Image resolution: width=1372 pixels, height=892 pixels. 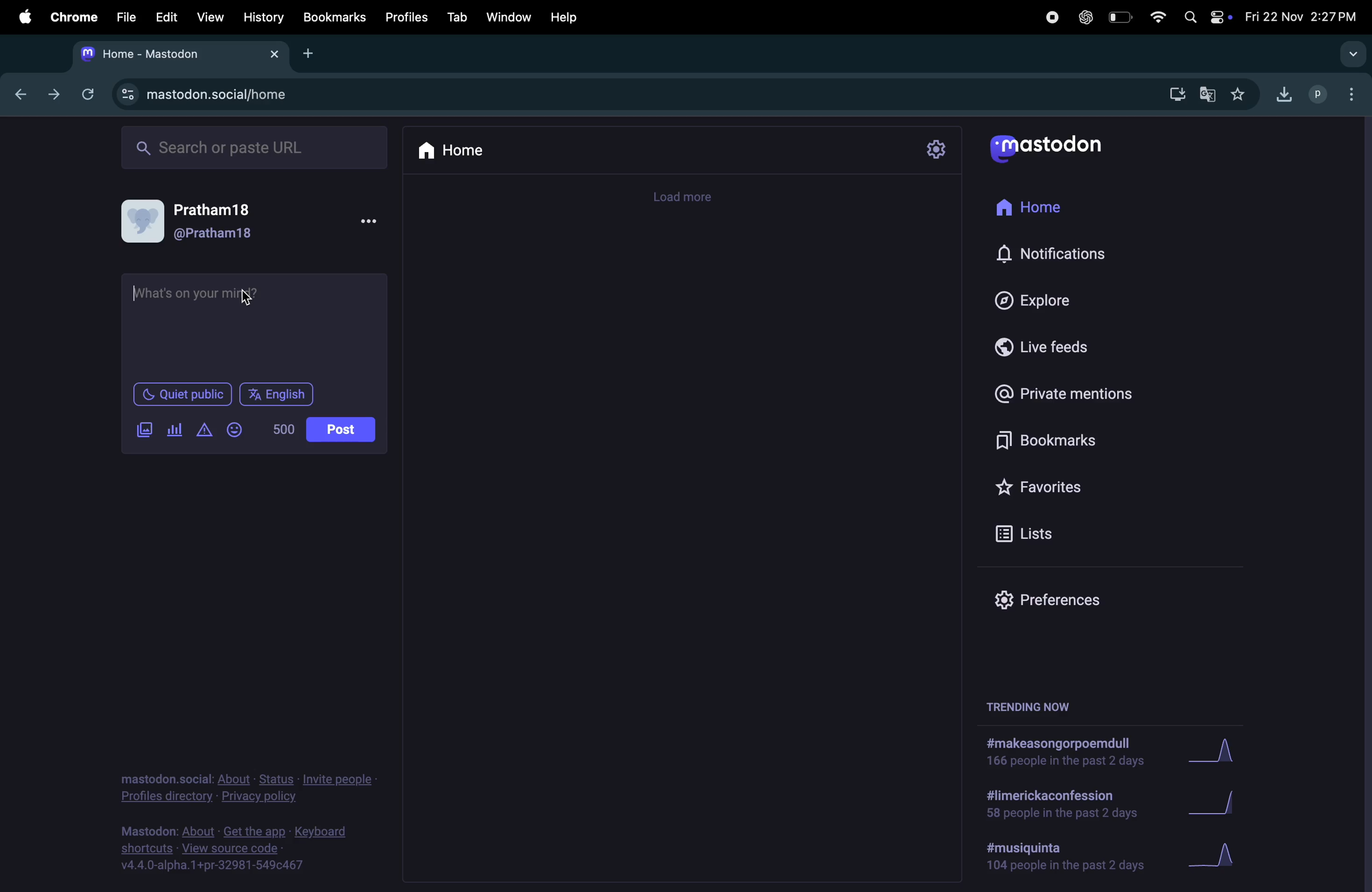 What do you see at coordinates (235, 430) in the screenshot?
I see `emoji` at bounding box center [235, 430].